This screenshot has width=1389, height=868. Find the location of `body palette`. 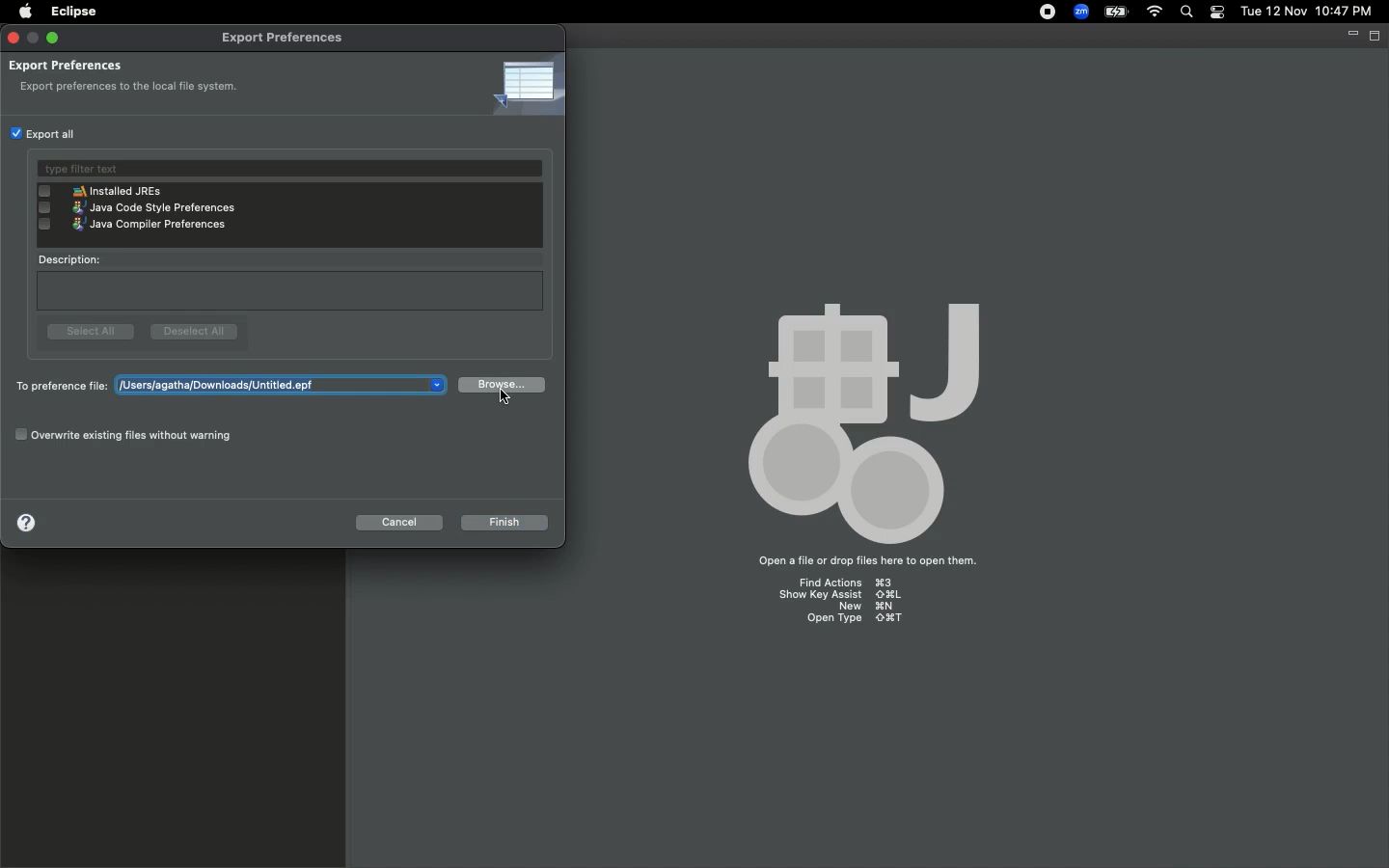

body palette is located at coordinates (859, 420).